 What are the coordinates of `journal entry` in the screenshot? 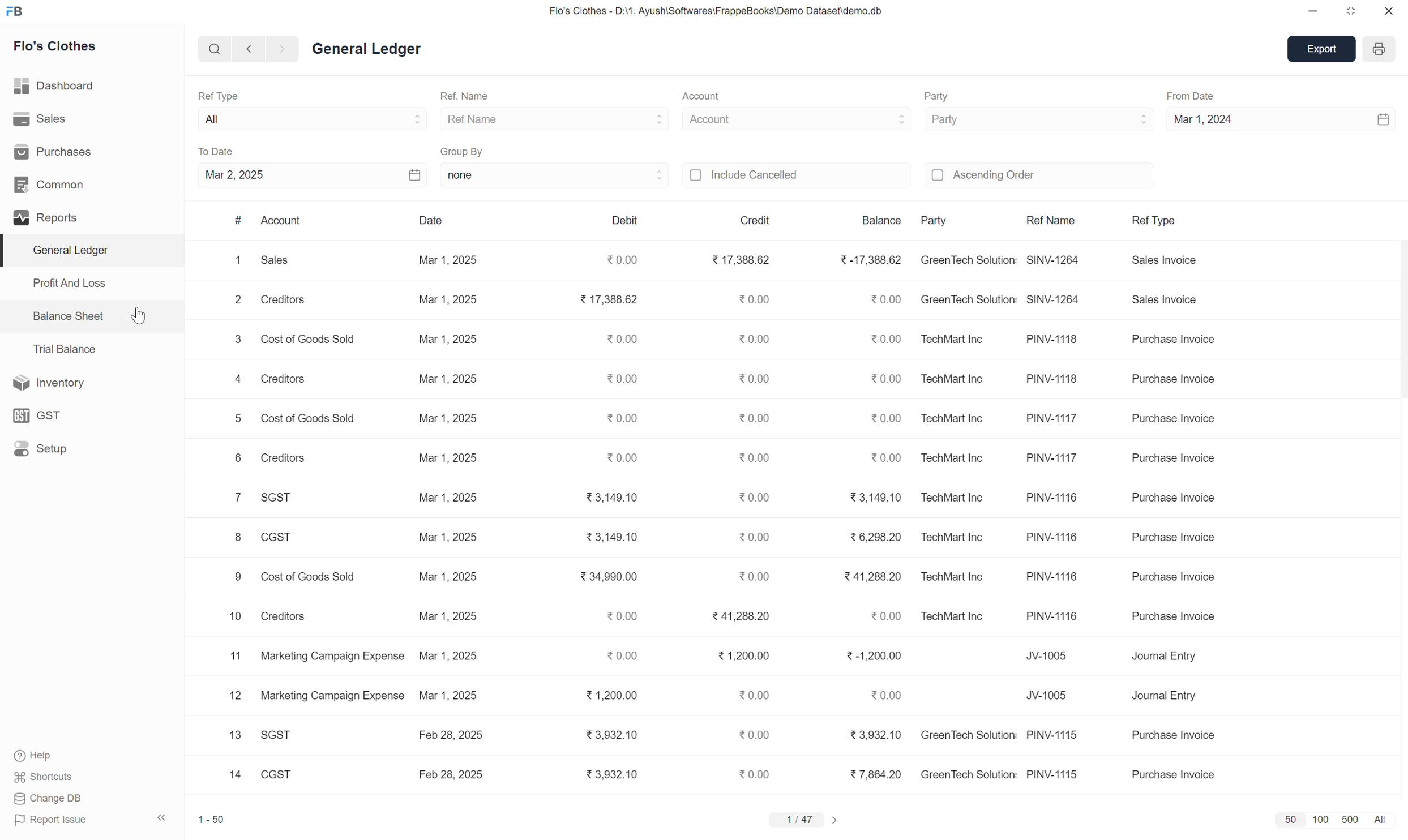 It's located at (1165, 695).